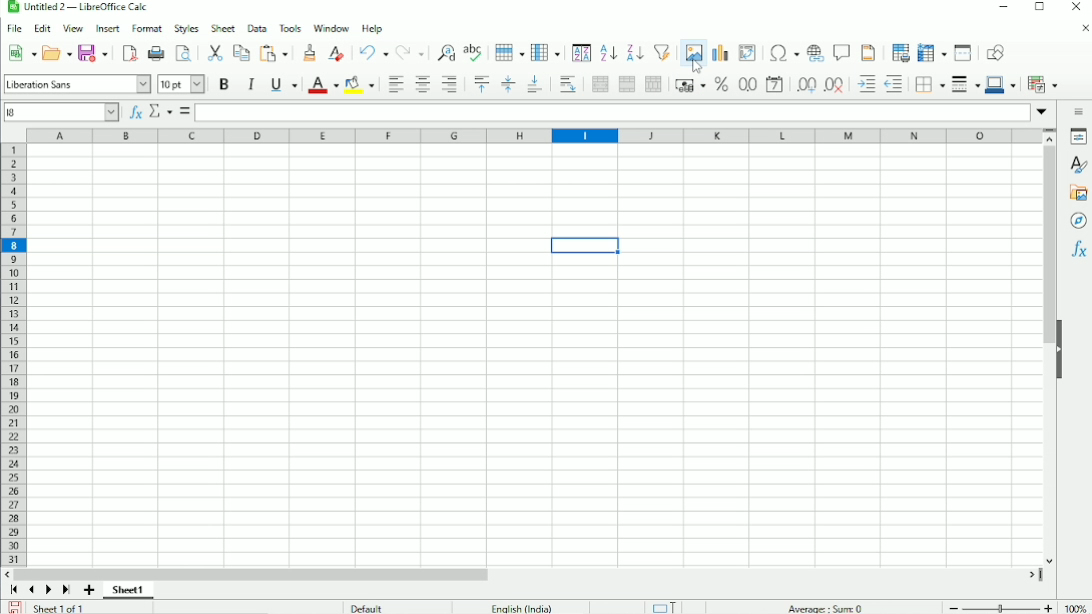  What do you see at coordinates (519, 606) in the screenshot?
I see `English (India)` at bounding box center [519, 606].